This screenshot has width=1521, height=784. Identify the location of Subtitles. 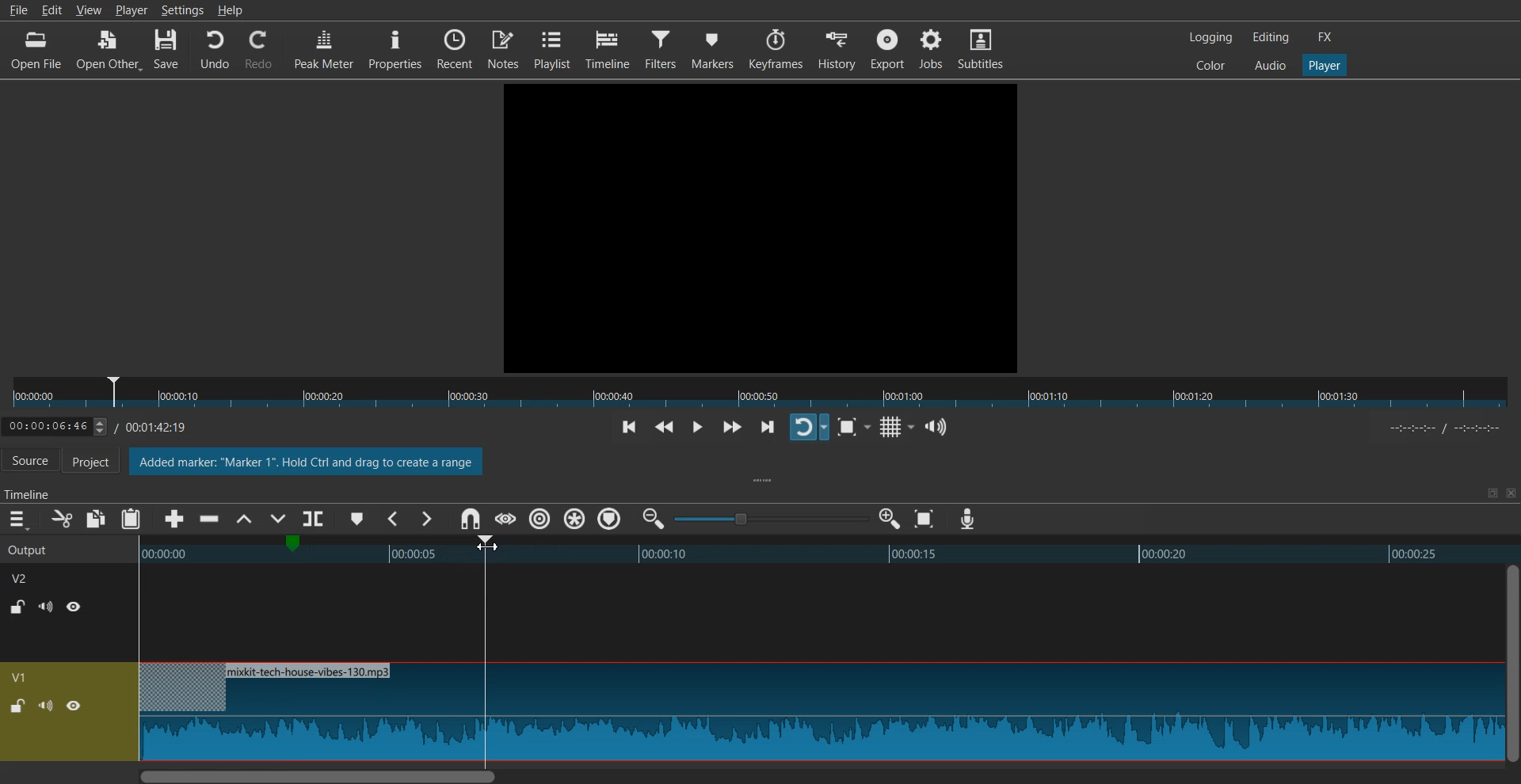
(981, 48).